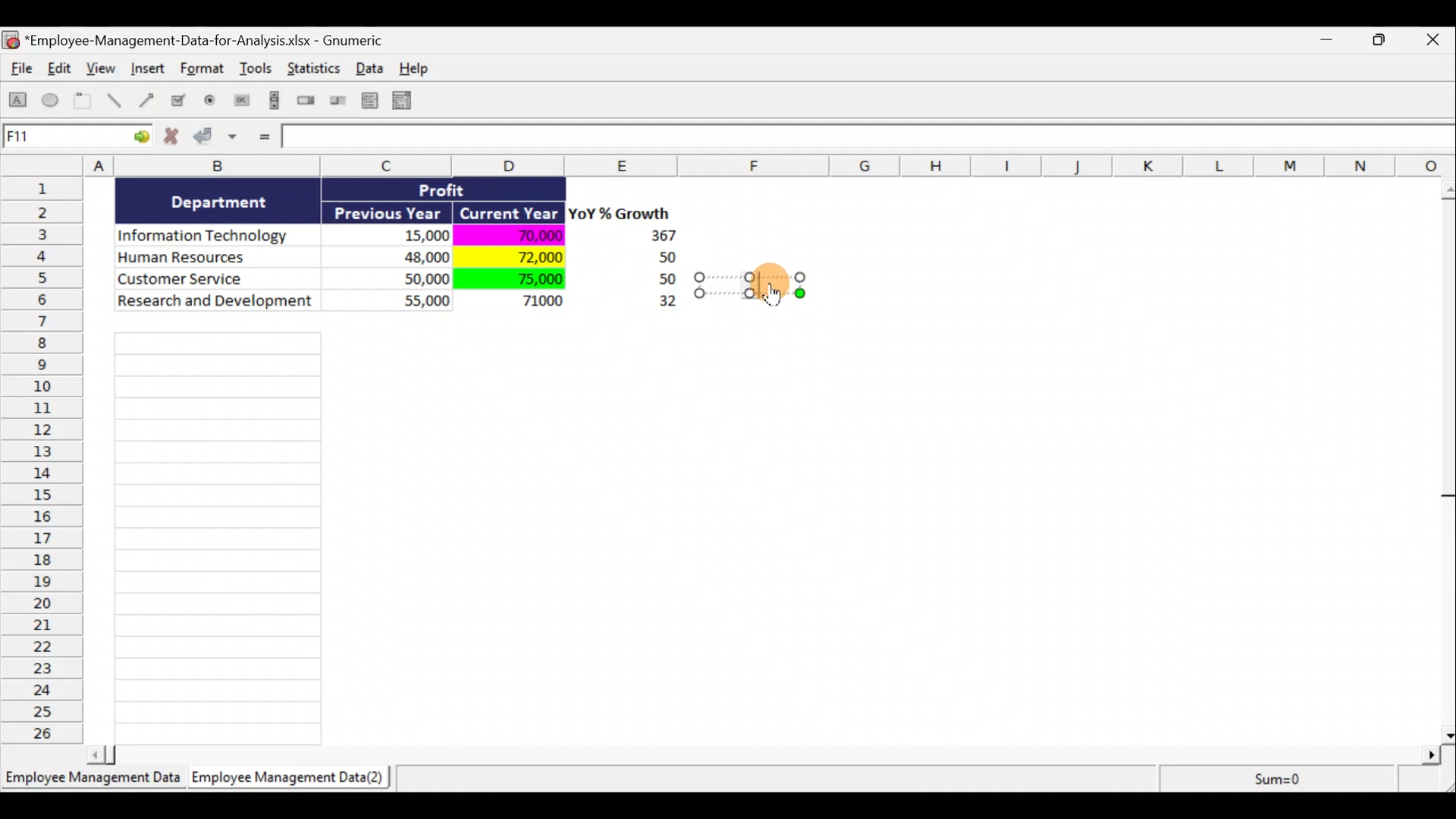 The height and width of the screenshot is (819, 1456). What do you see at coordinates (870, 140) in the screenshot?
I see `Formula bar` at bounding box center [870, 140].